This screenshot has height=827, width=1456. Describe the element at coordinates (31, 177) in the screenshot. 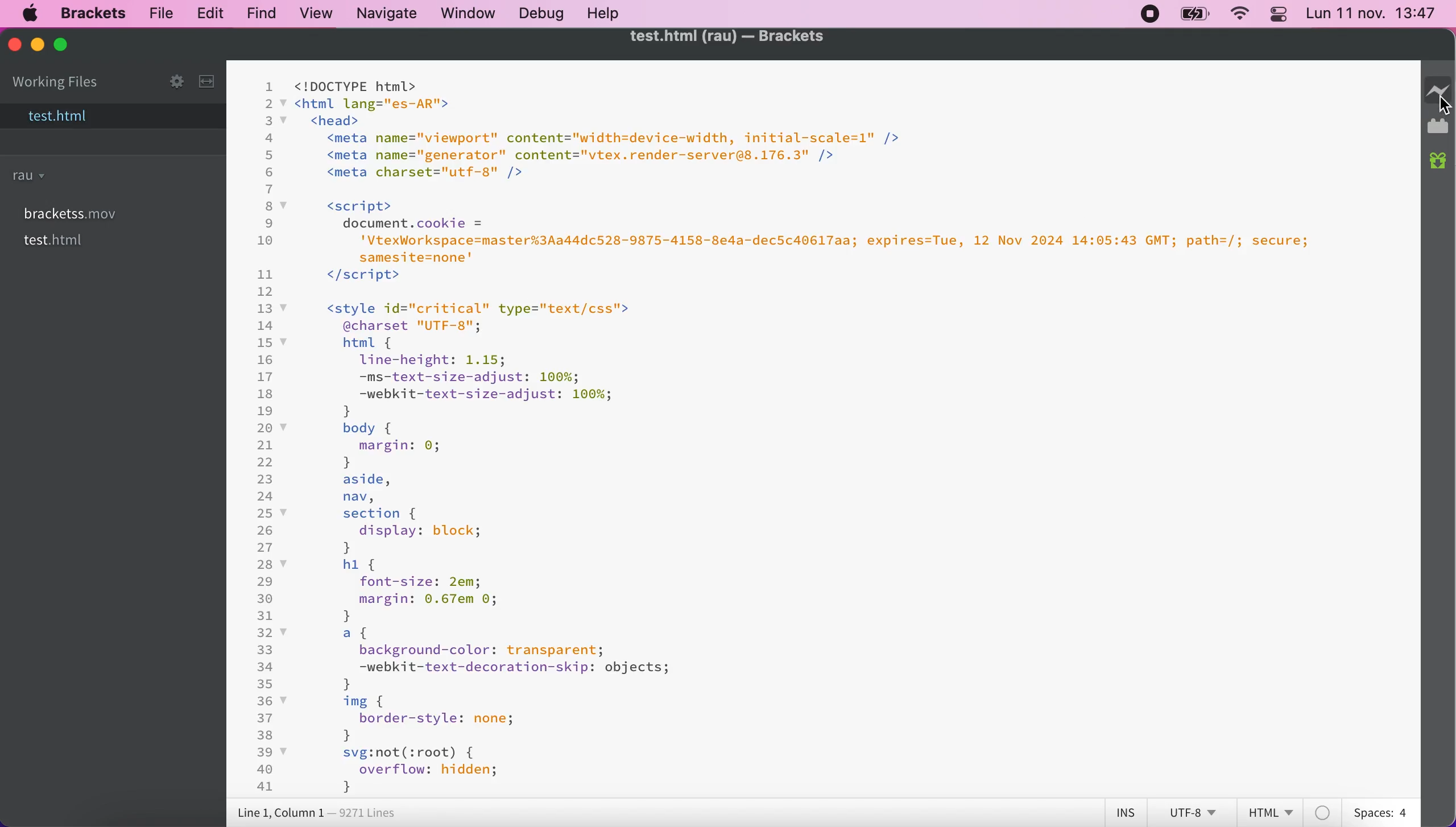

I see `rau` at that location.